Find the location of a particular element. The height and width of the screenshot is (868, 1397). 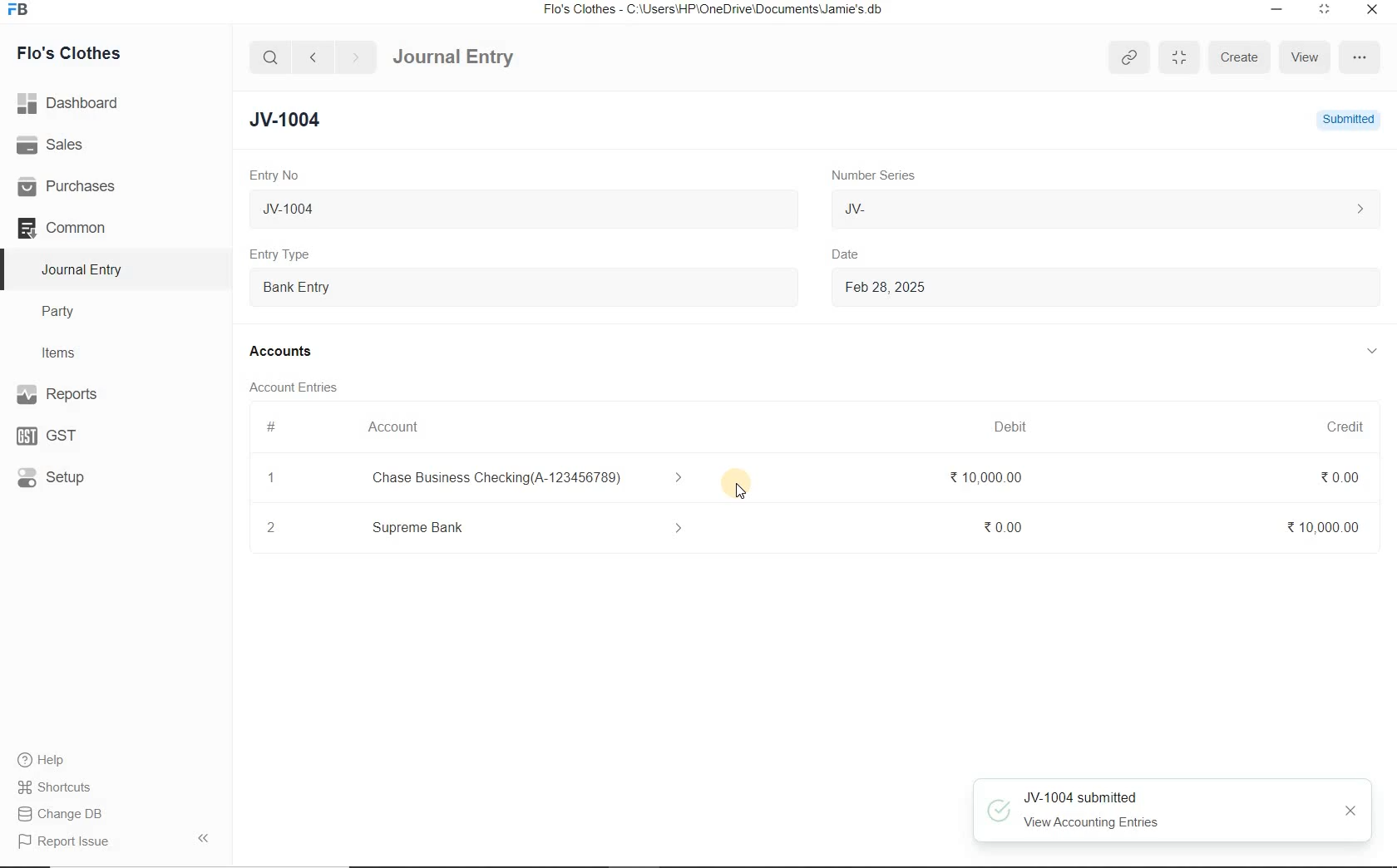

copy link is located at coordinates (1132, 57).